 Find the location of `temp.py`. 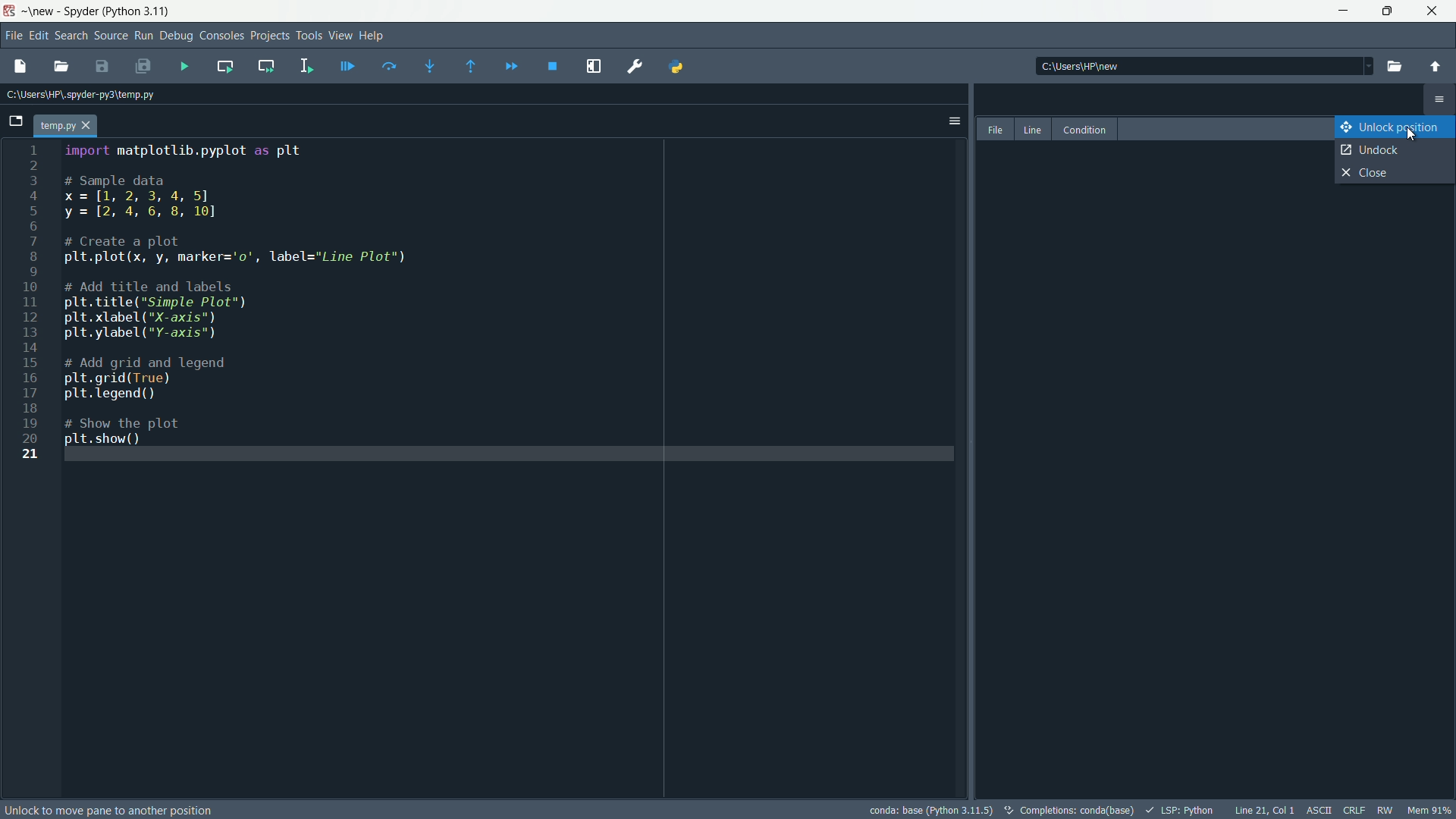

temp.py is located at coordinates (71, 124).